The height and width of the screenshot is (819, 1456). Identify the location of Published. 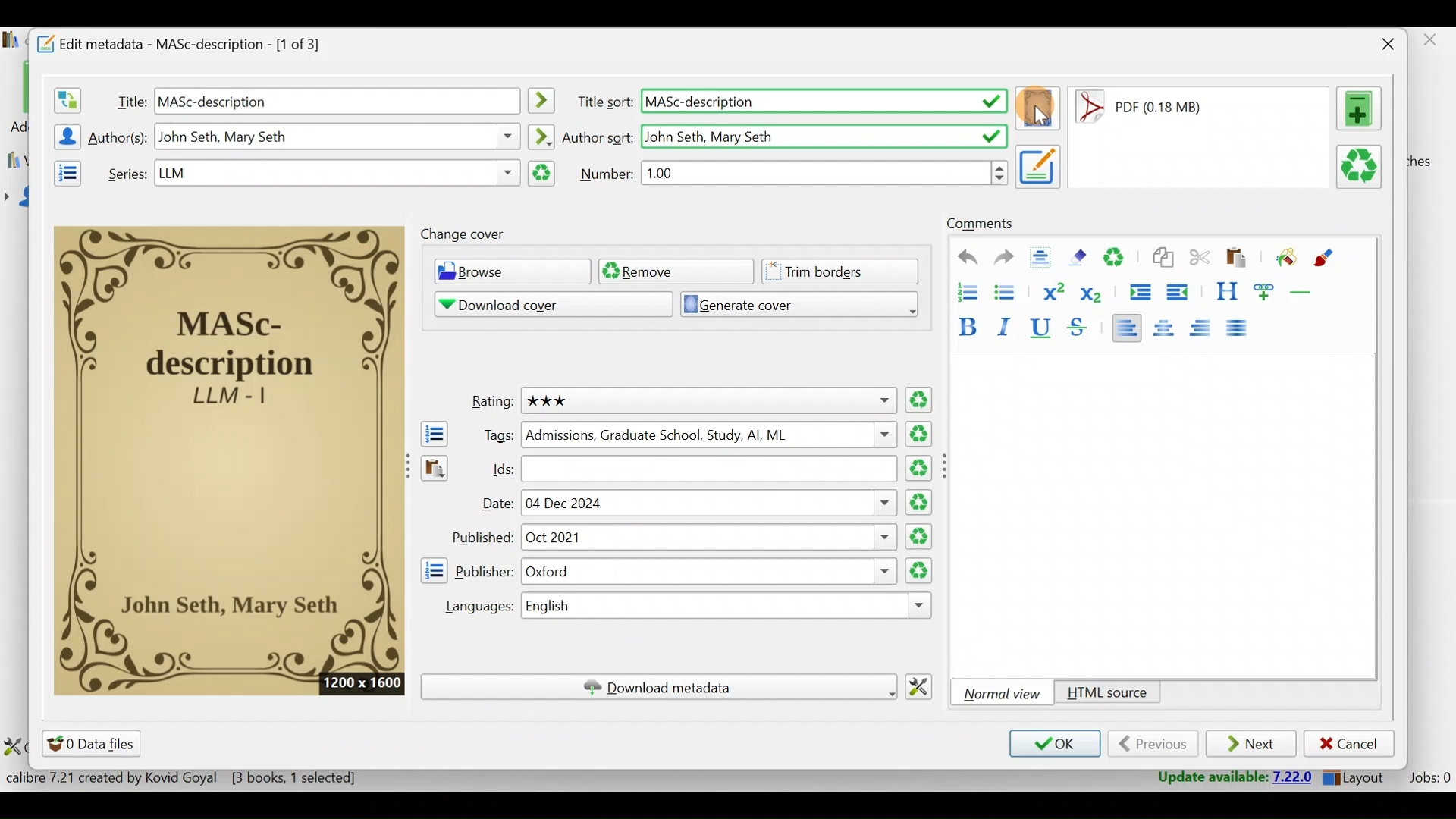
(481, 538).